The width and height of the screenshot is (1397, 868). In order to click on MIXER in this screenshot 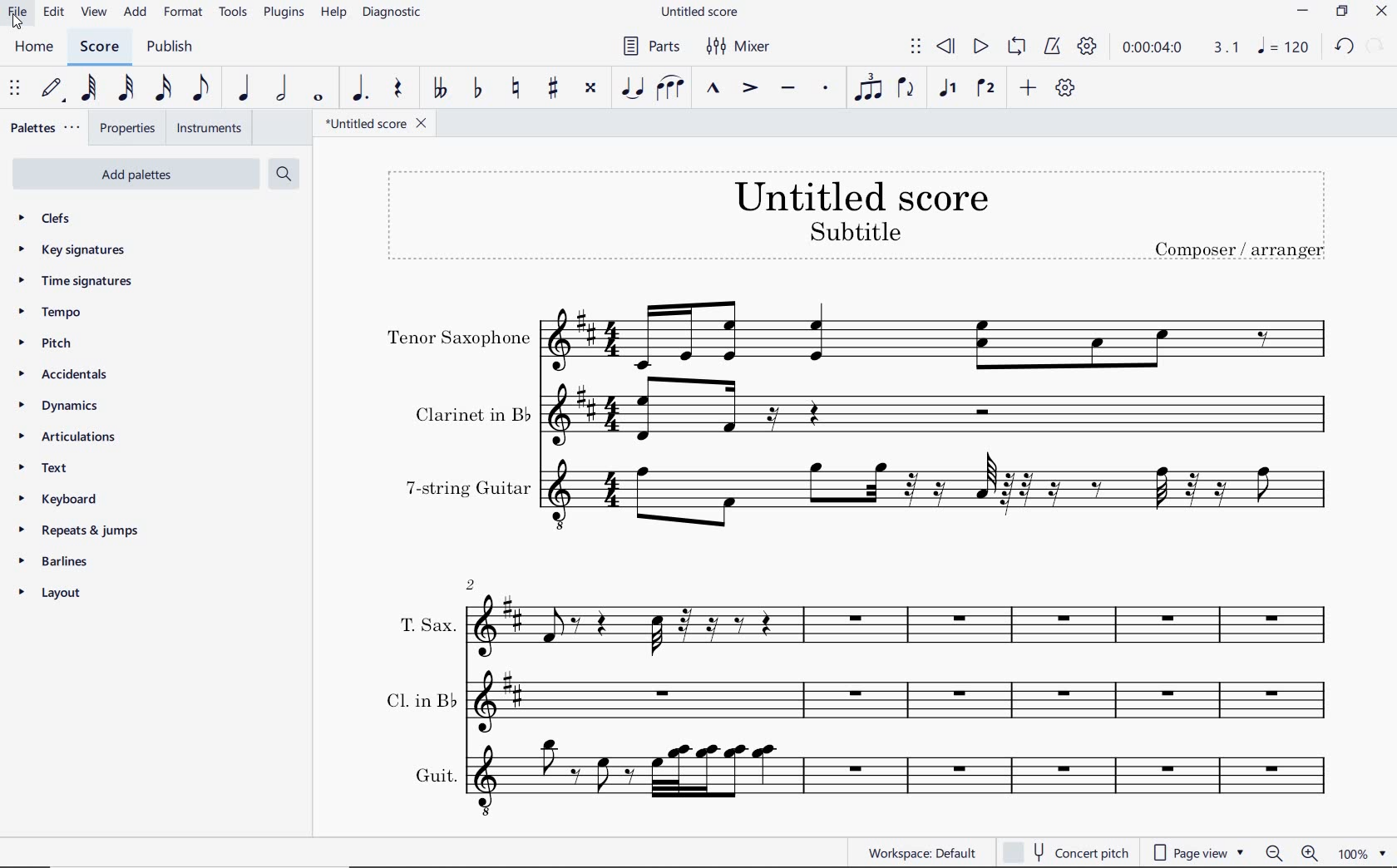, I will do `click(745, 47)`.